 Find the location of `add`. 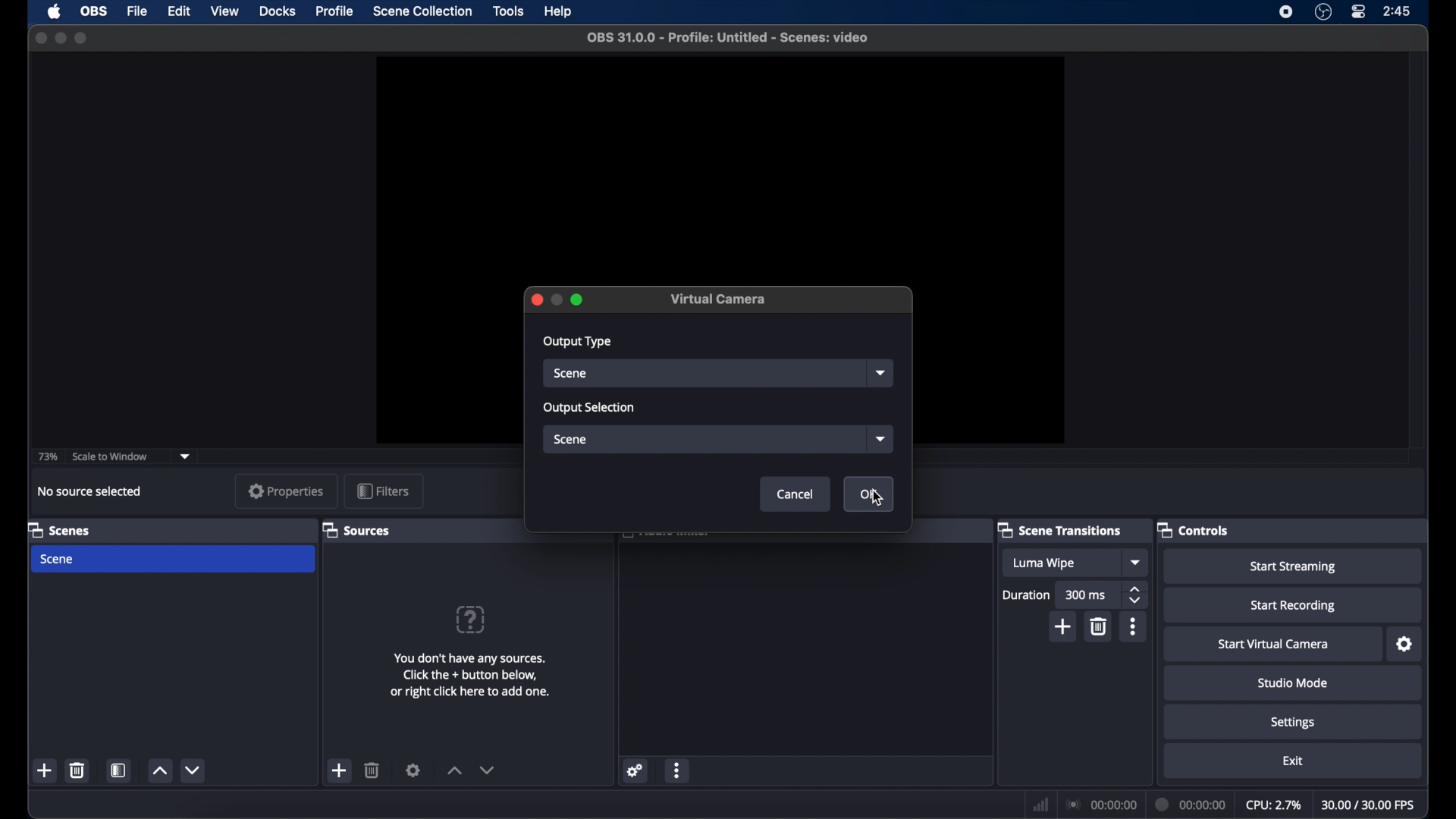

add is located at coordinates (340, 770).